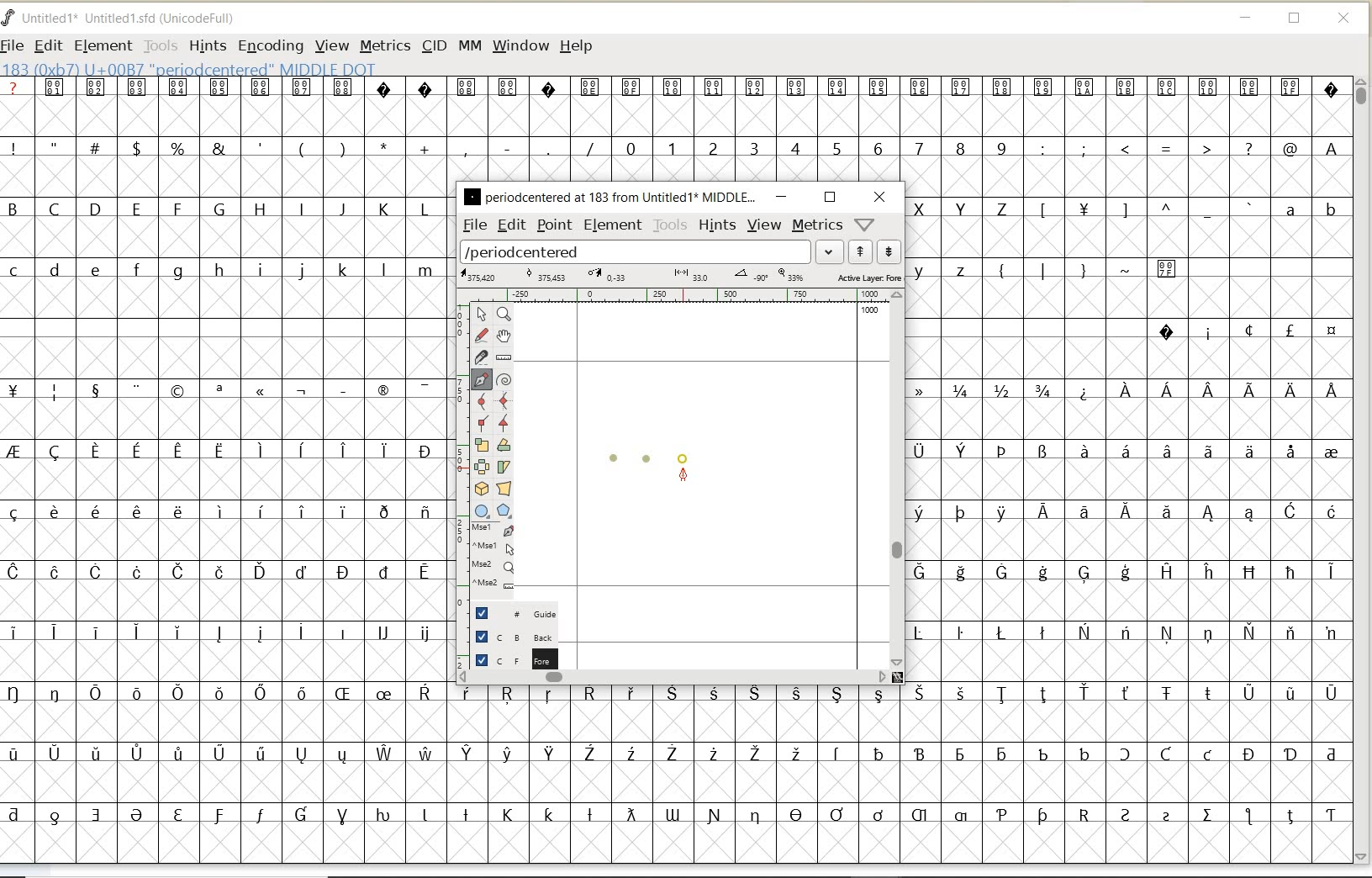 This screenshot has width=1372, height=878. I want to click on scroll by hand, so click(503, 336).